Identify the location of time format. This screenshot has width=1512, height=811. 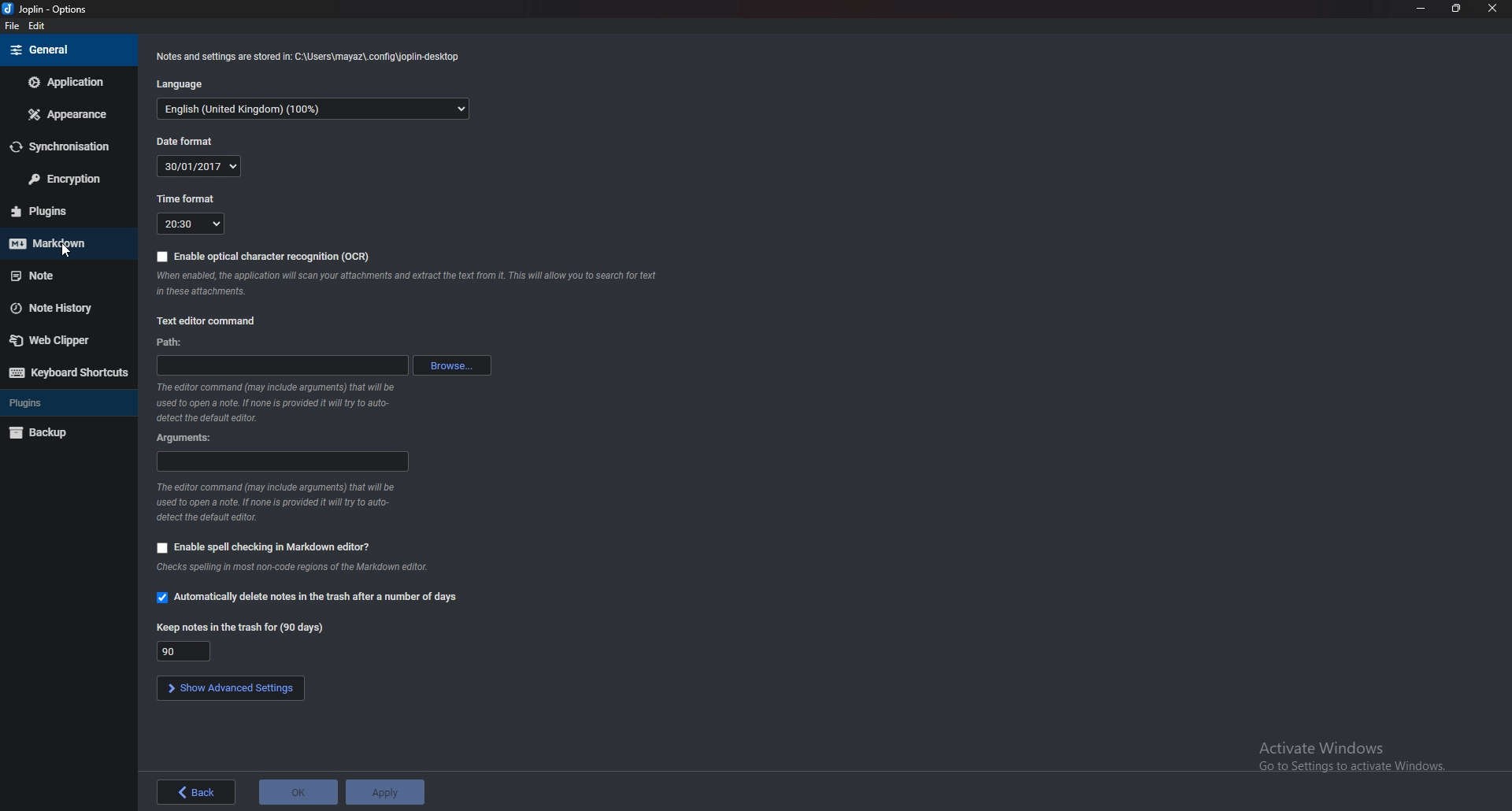
(191, 224).